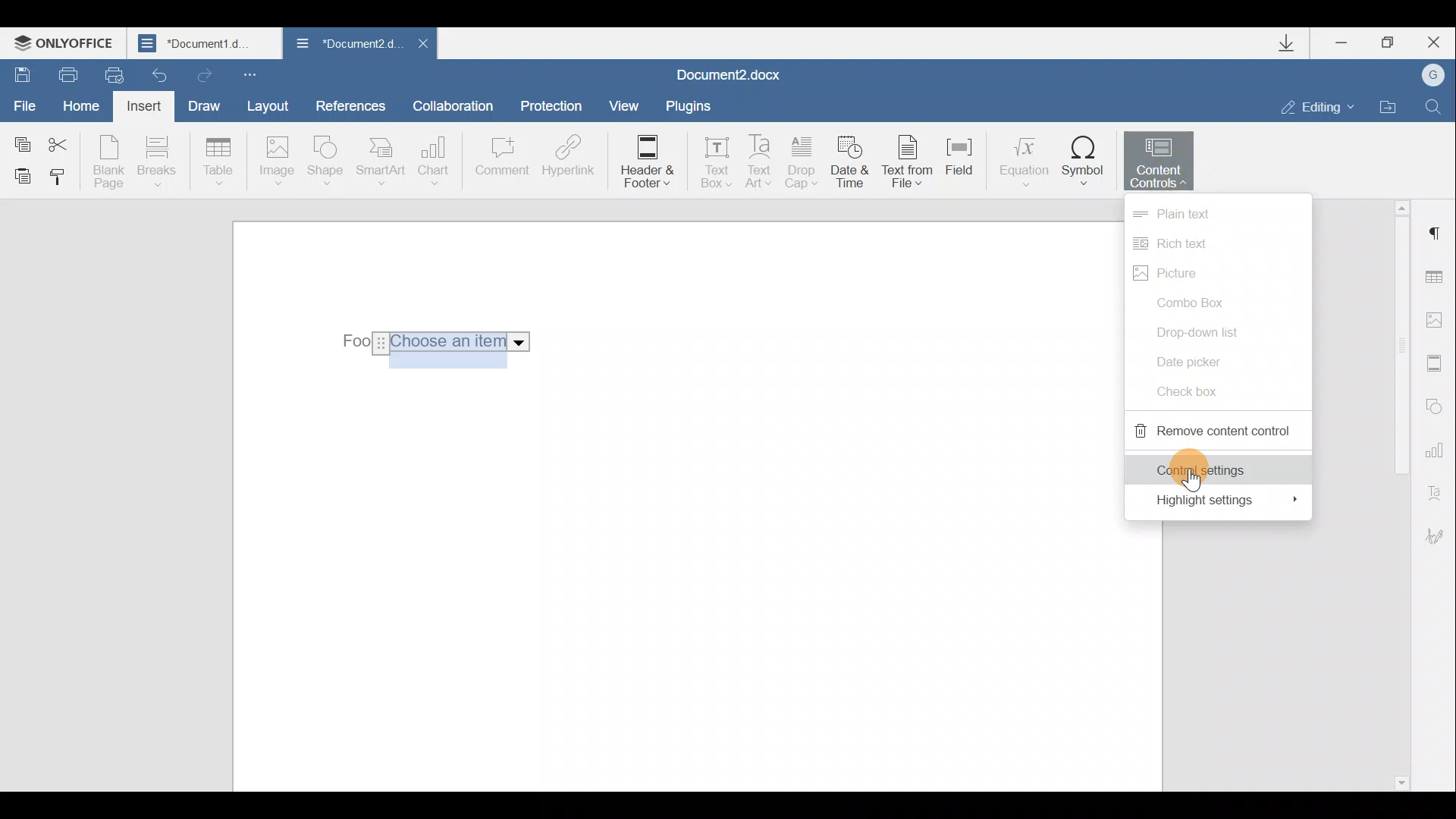 The image size is (1456, 819). What do you see at coordinates (1084, 160) in the screenshot?
I see `Symbol` at bounding box center [1084, 160].